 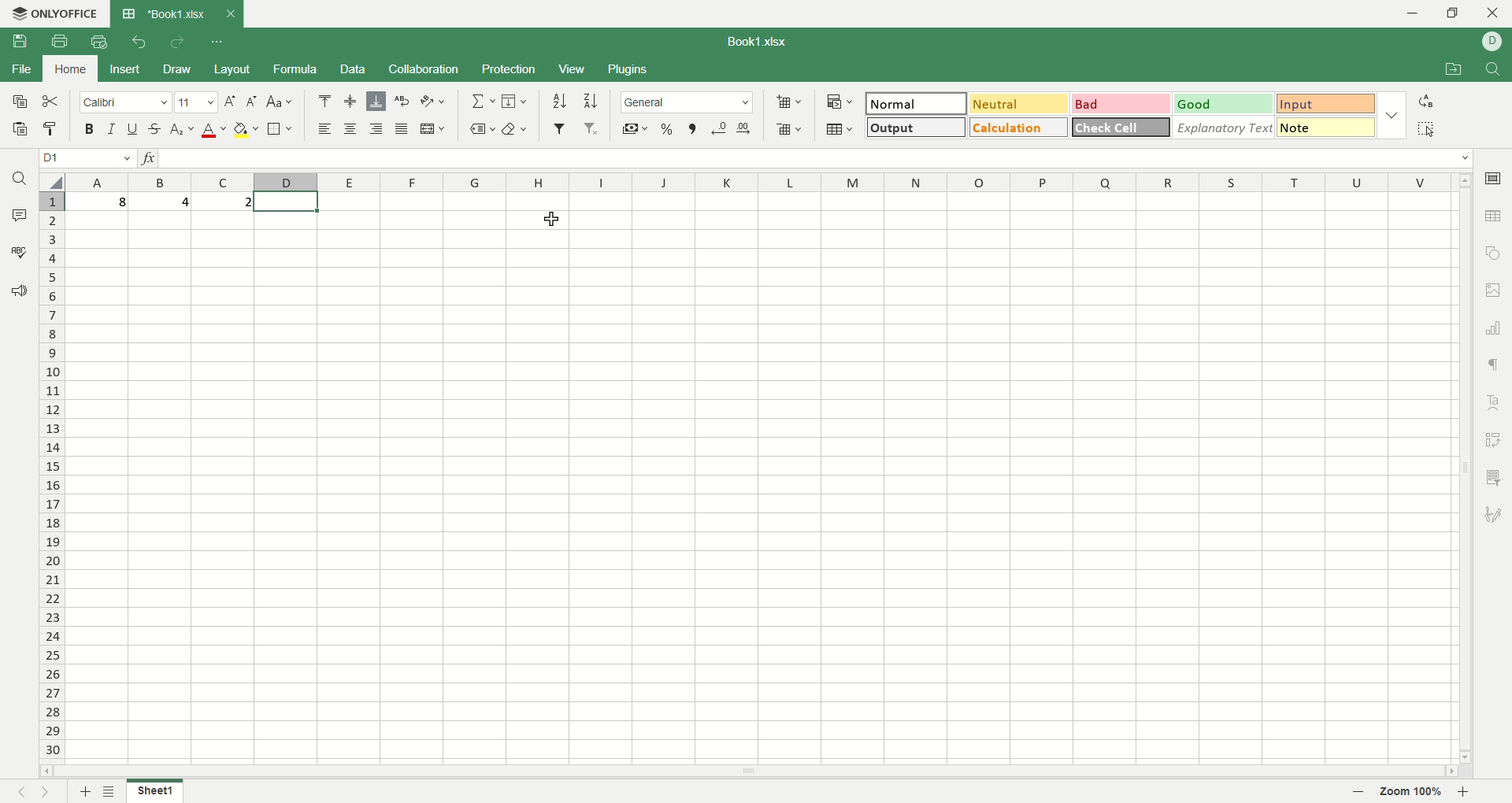 I want to click on formula, so click(x=296, y=69).